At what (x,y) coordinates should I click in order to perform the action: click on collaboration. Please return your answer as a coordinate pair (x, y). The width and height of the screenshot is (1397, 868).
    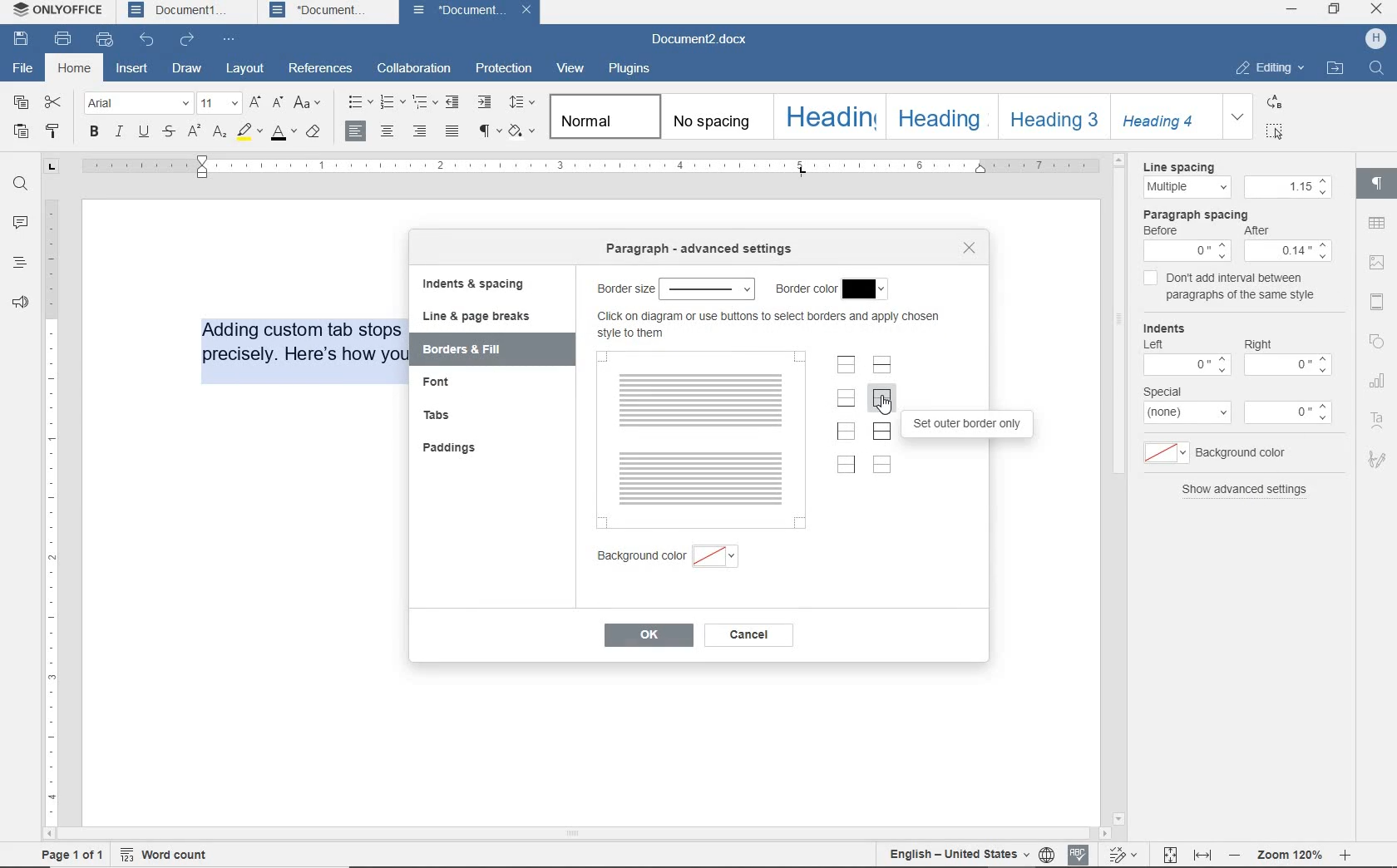
    Looking at the image, I should click on (412, 69).